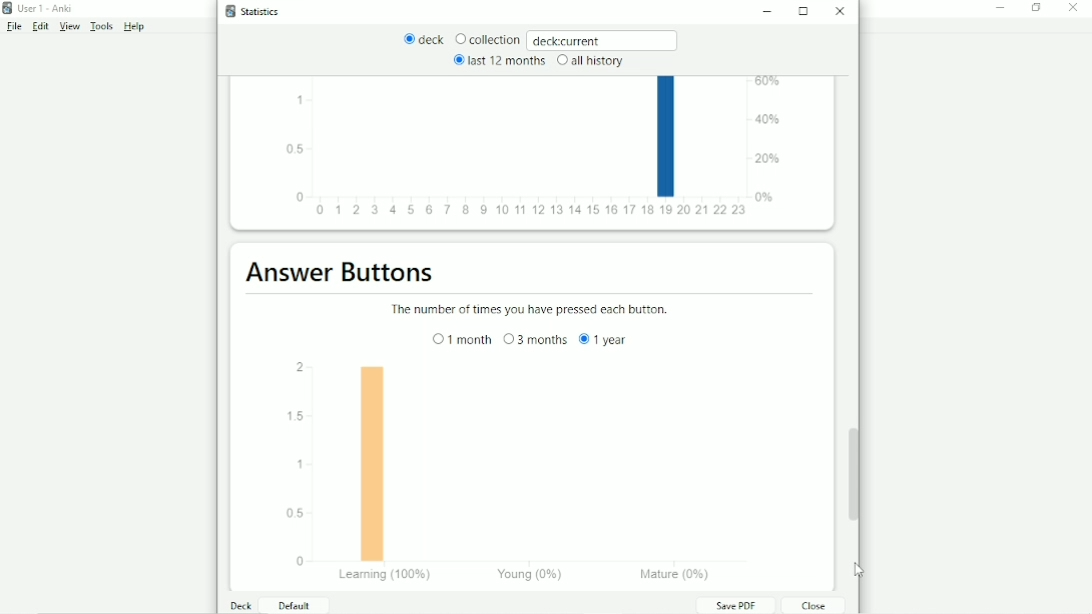  Describe the element at coordinates (735, 605) in the screenshot. I see `Save PDF` at that location.